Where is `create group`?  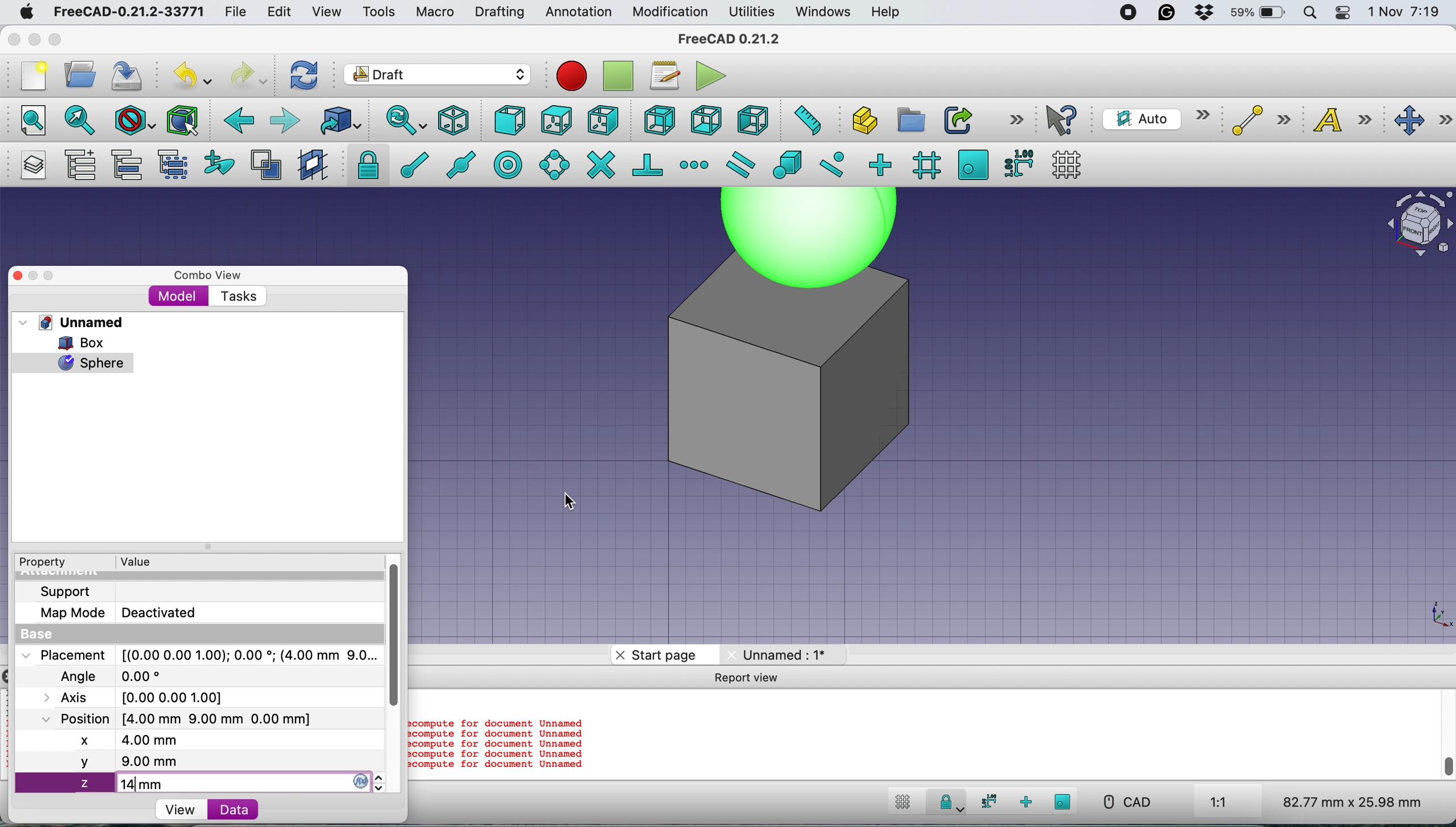 create group is located at coordinates (909, 120).